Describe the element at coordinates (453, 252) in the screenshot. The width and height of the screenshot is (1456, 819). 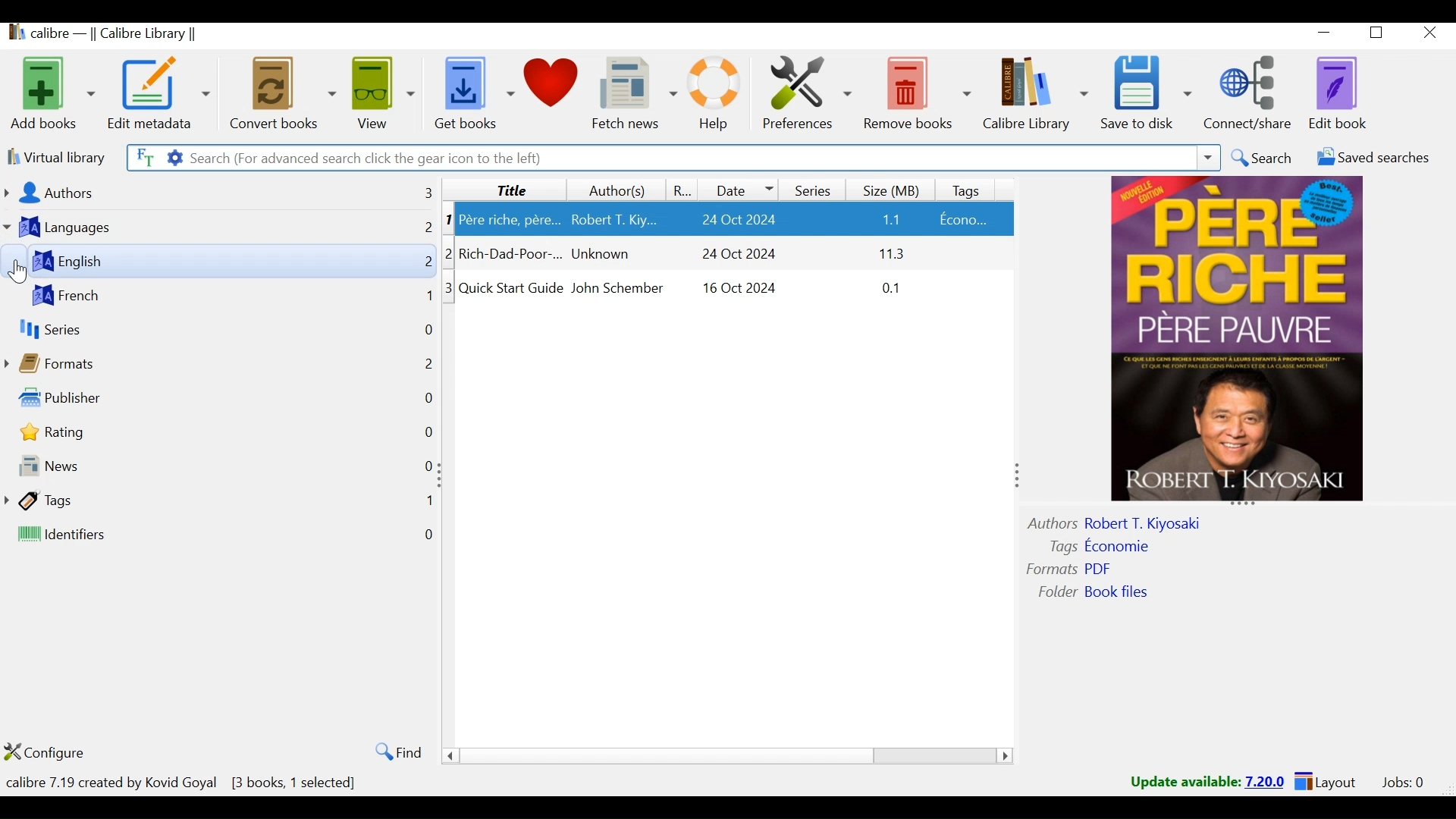
I see `2` at that location.